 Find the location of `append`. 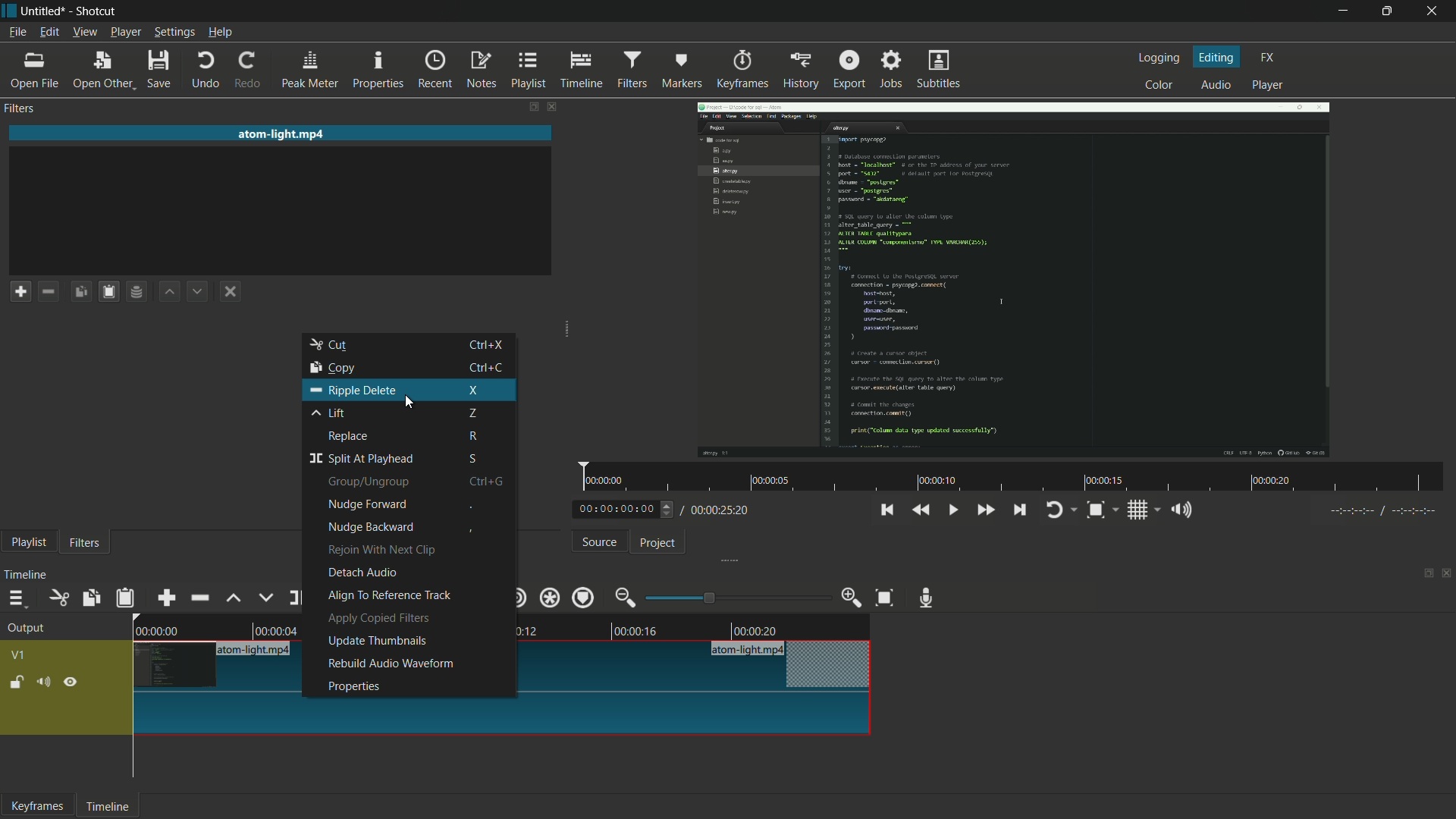

append is located at coordinates (167, 599).